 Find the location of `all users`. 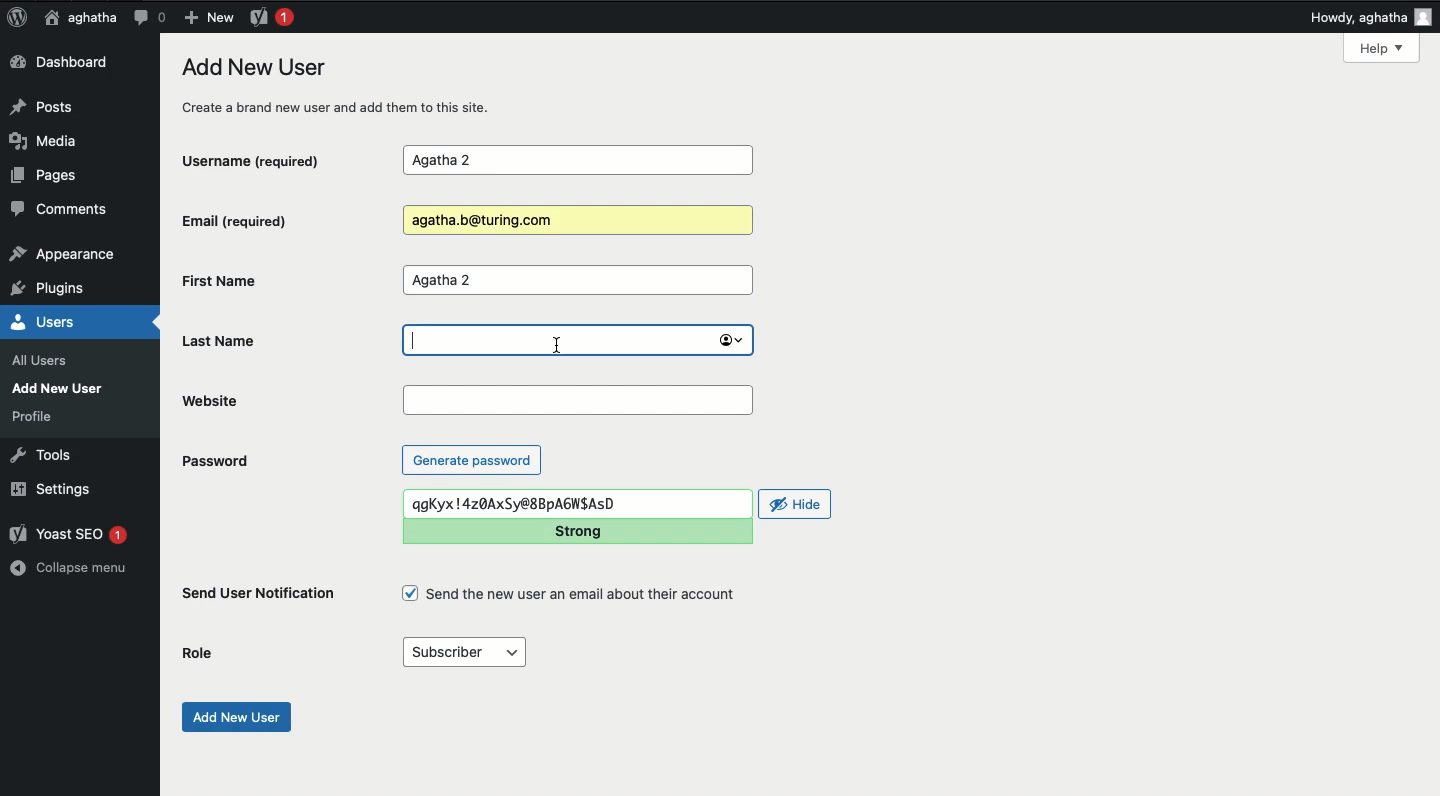

all users is located at coordinates (45, 361).